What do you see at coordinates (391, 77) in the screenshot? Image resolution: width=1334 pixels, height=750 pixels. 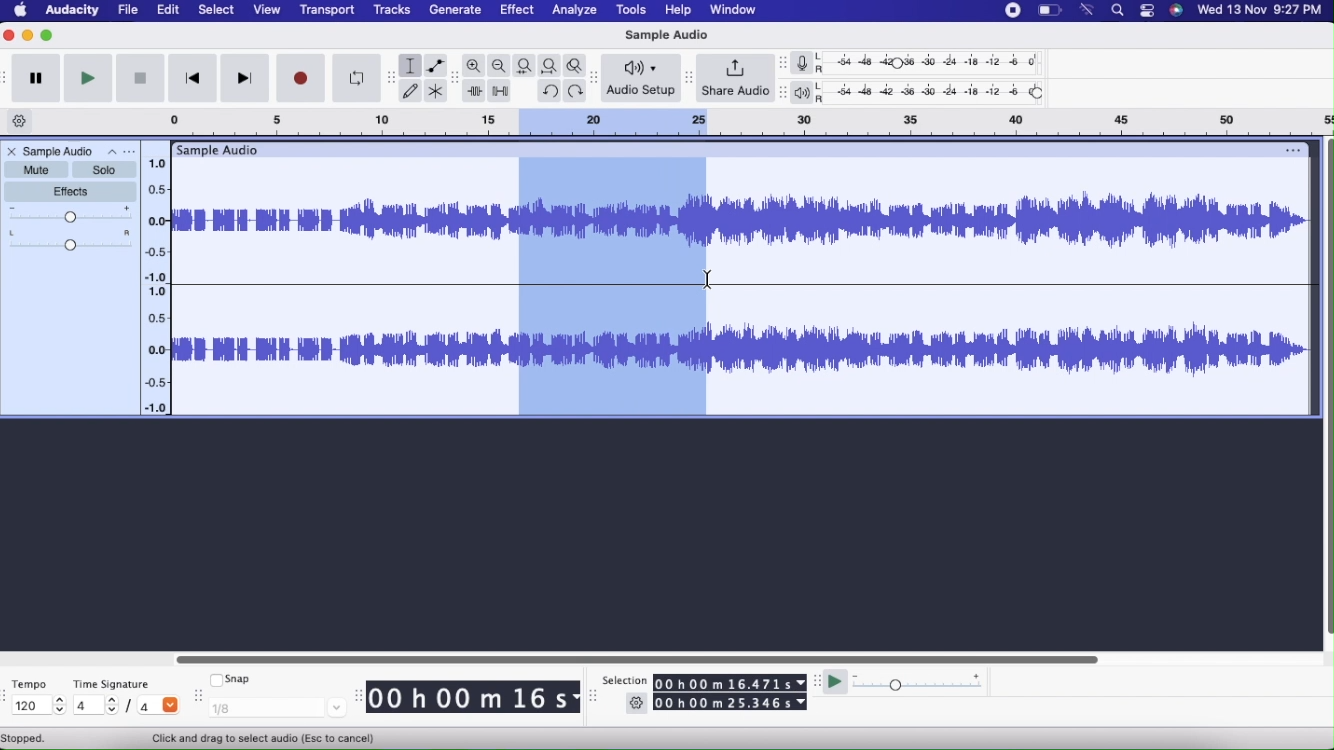 I see `move toolbar` at bounding box center [391, 77].